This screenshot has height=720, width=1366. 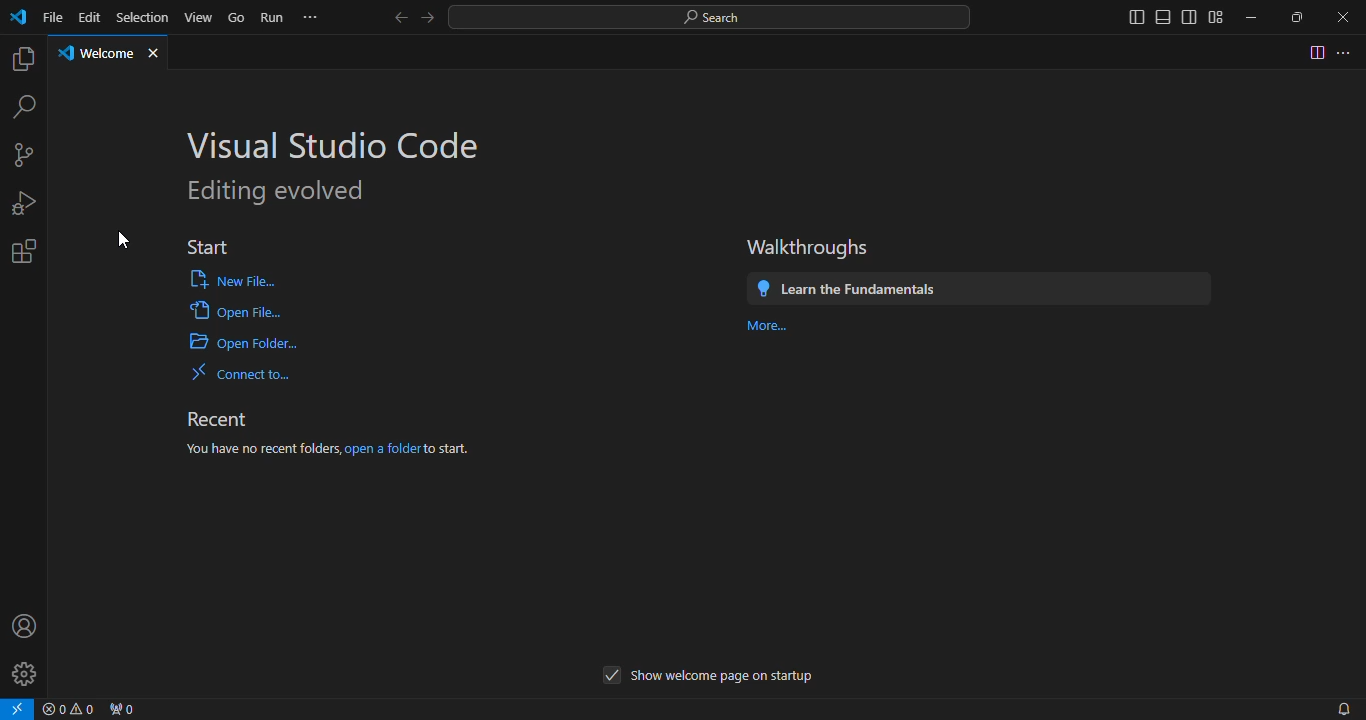 What do you see at coordinates (92, 17) in the screenshot?
I see `Edit` at bounding box center [92, 17].